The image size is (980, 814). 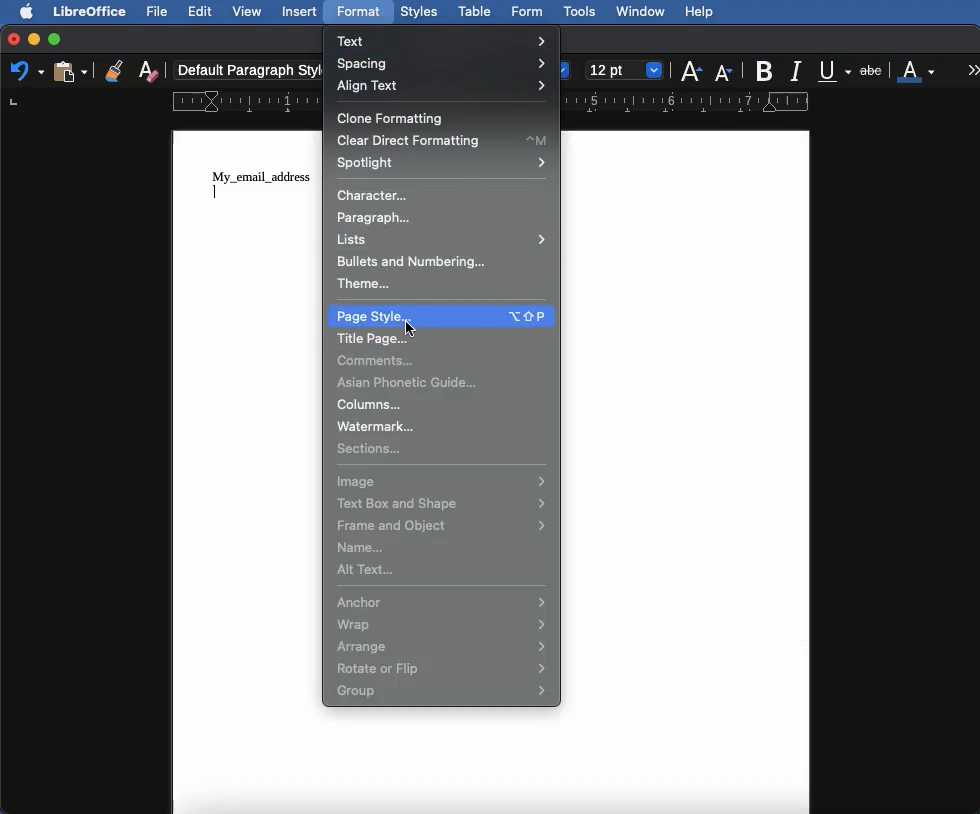 I want to click on Tools, so click(x=581, y=12).